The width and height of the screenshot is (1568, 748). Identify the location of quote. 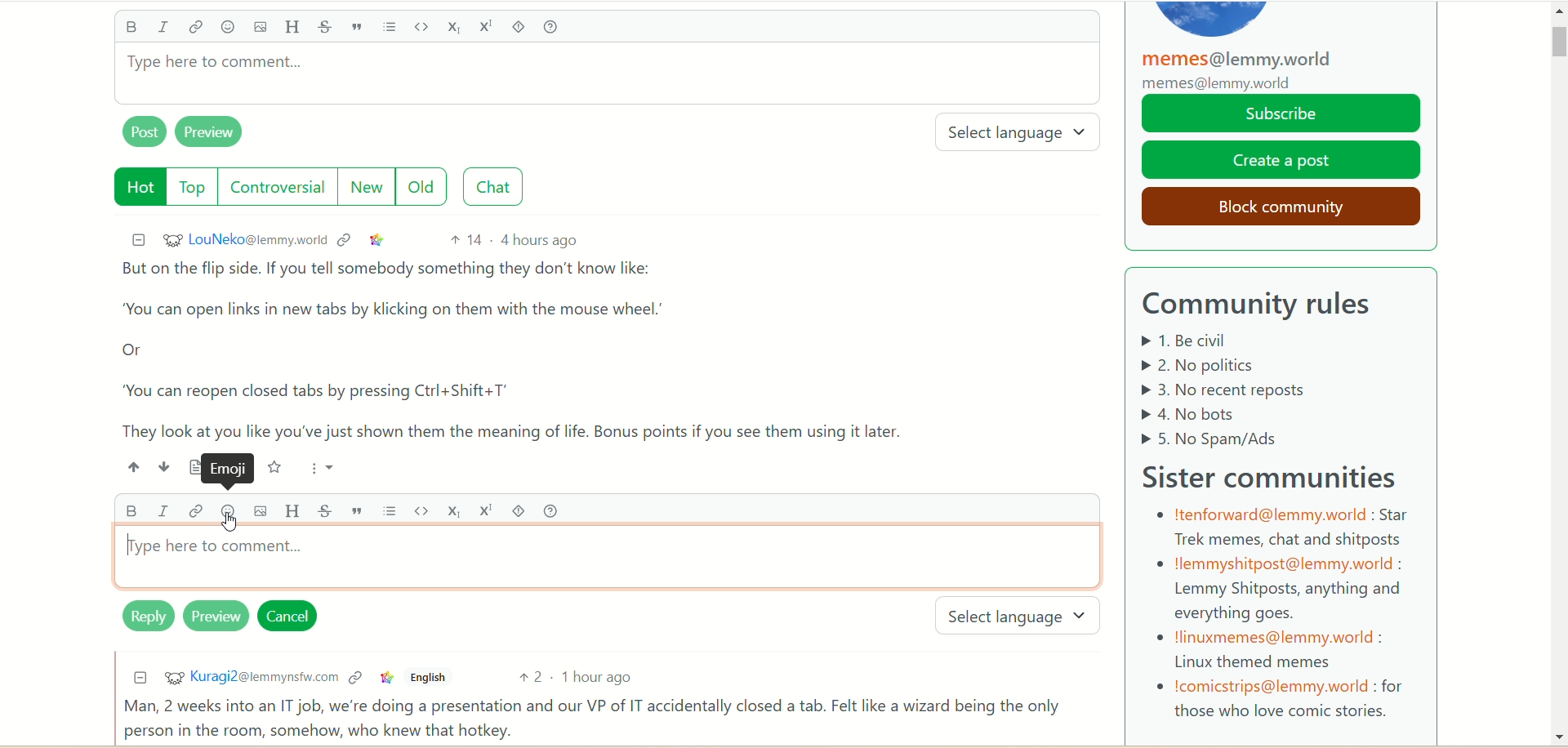
(361, 28).